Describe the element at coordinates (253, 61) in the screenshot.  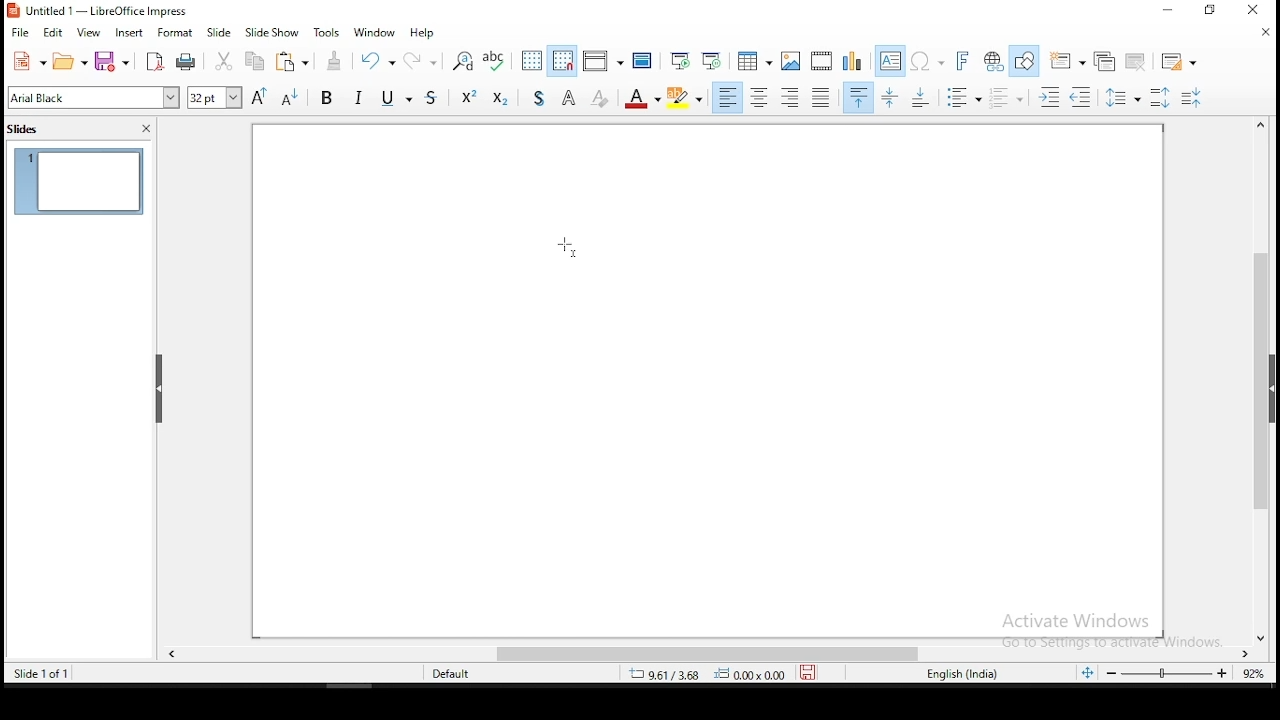
I see `copy` at that location.